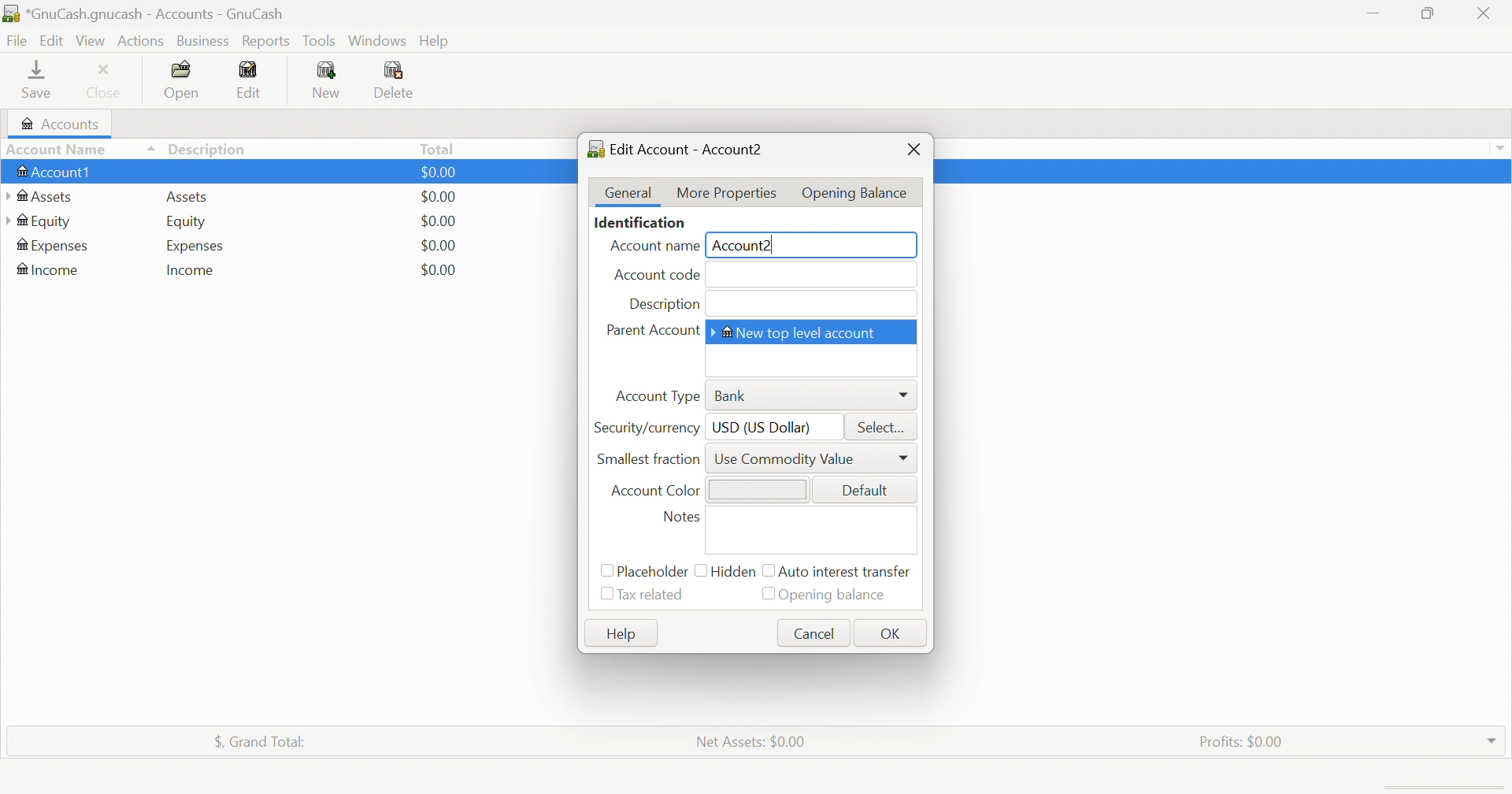  What do you see at coordinates (892, 636) in the screenshot?
I see `OK` at bounding box center [892, 636].